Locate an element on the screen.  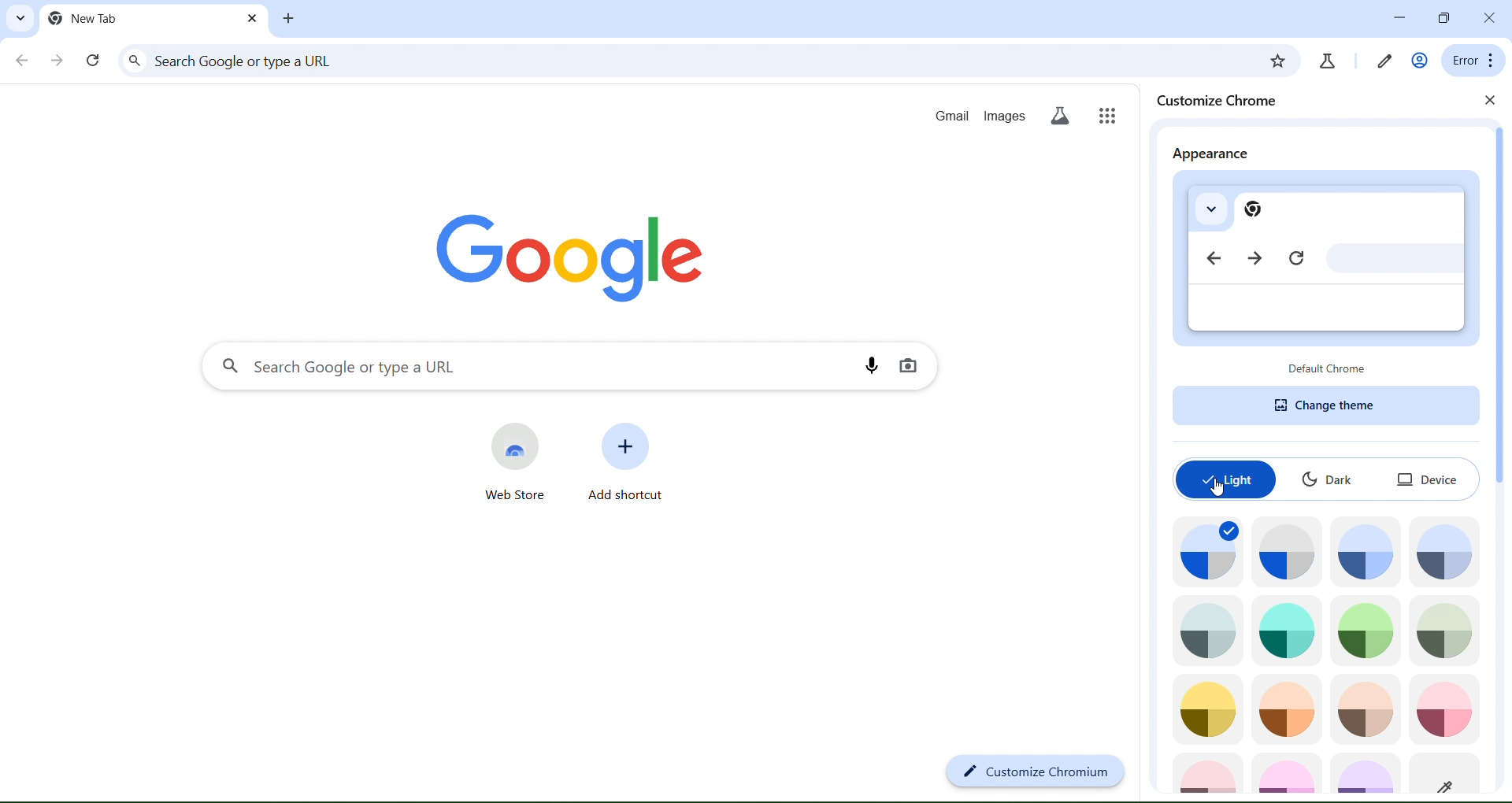
image is located at coordinates (1287, 550).